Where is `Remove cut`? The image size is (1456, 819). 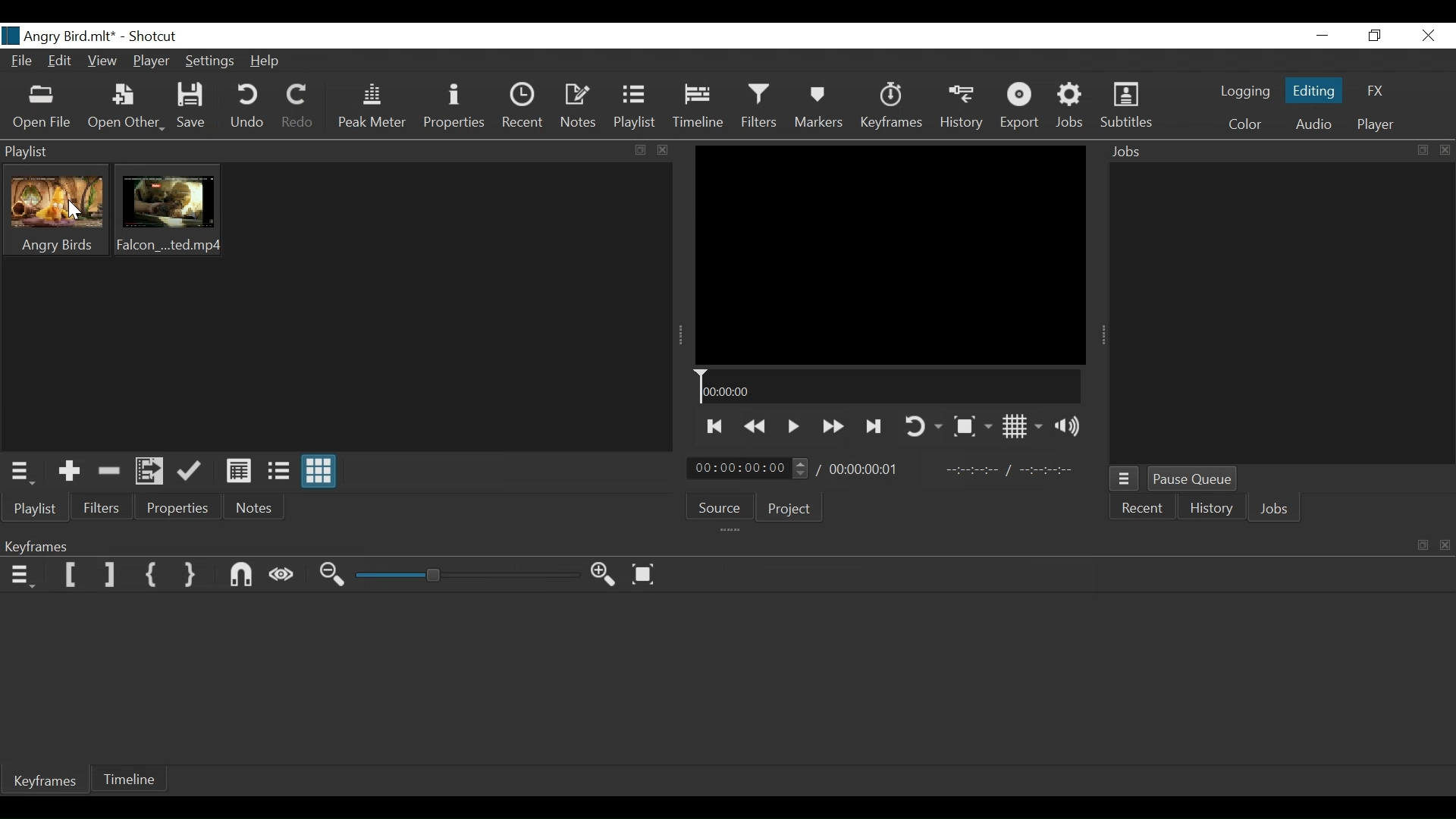
Remove cut is located at coordinates (108, 472).